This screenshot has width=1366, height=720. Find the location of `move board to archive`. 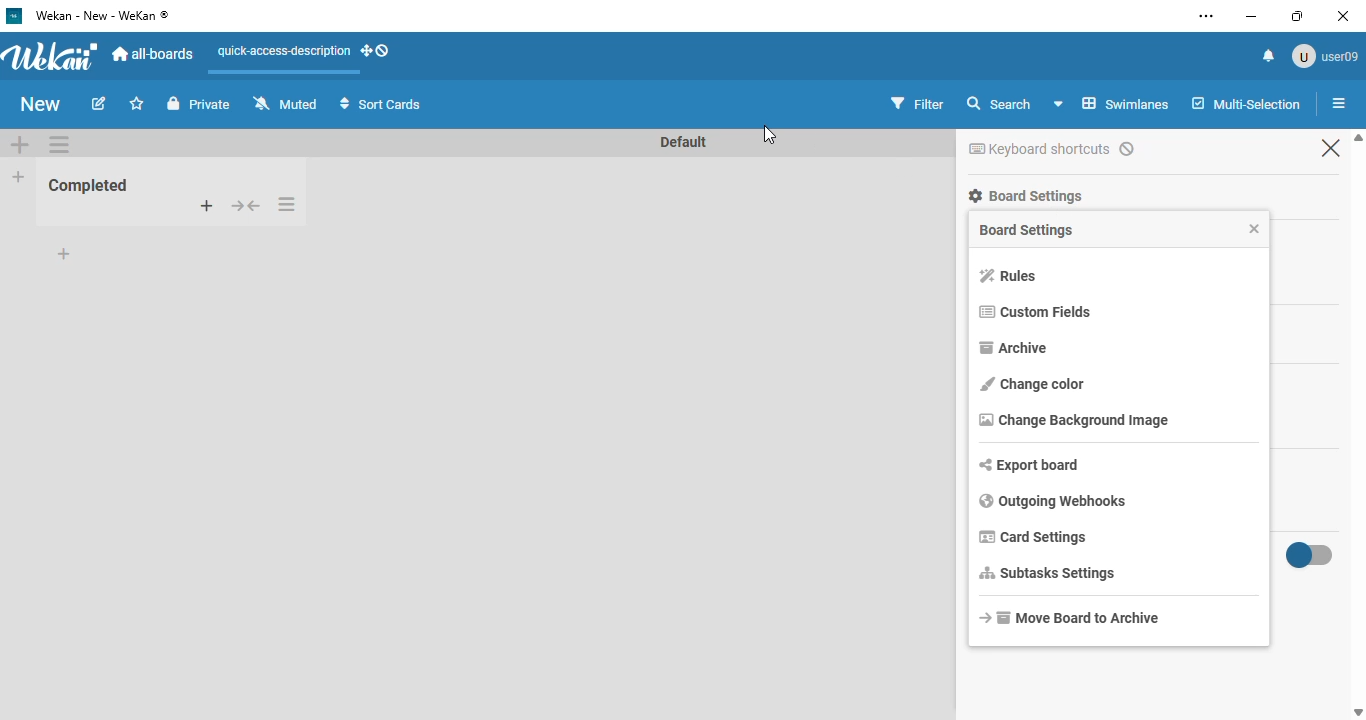

move board to archive is located at coordinates (1067, 617).